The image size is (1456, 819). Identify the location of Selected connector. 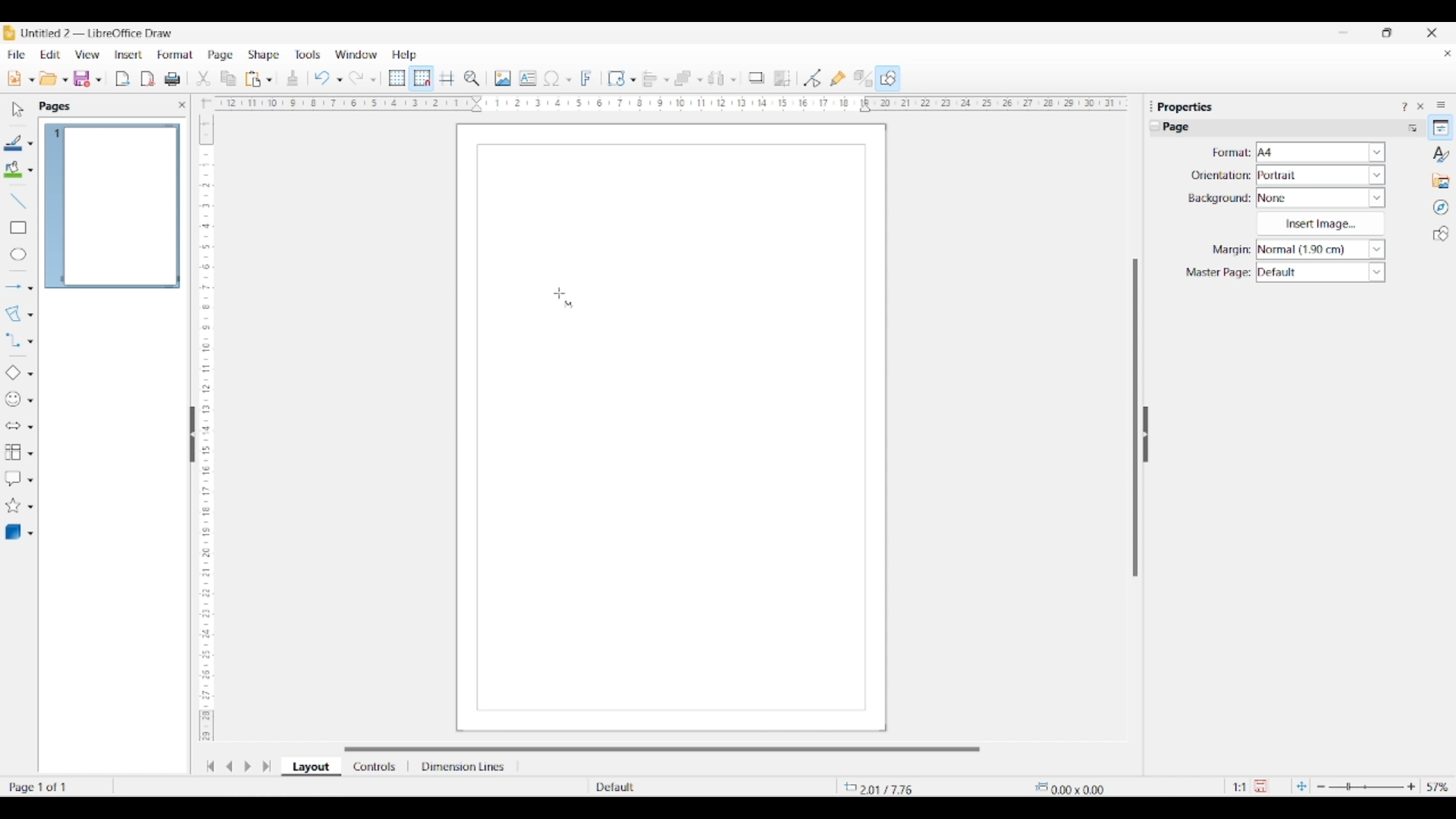
(12, 339).